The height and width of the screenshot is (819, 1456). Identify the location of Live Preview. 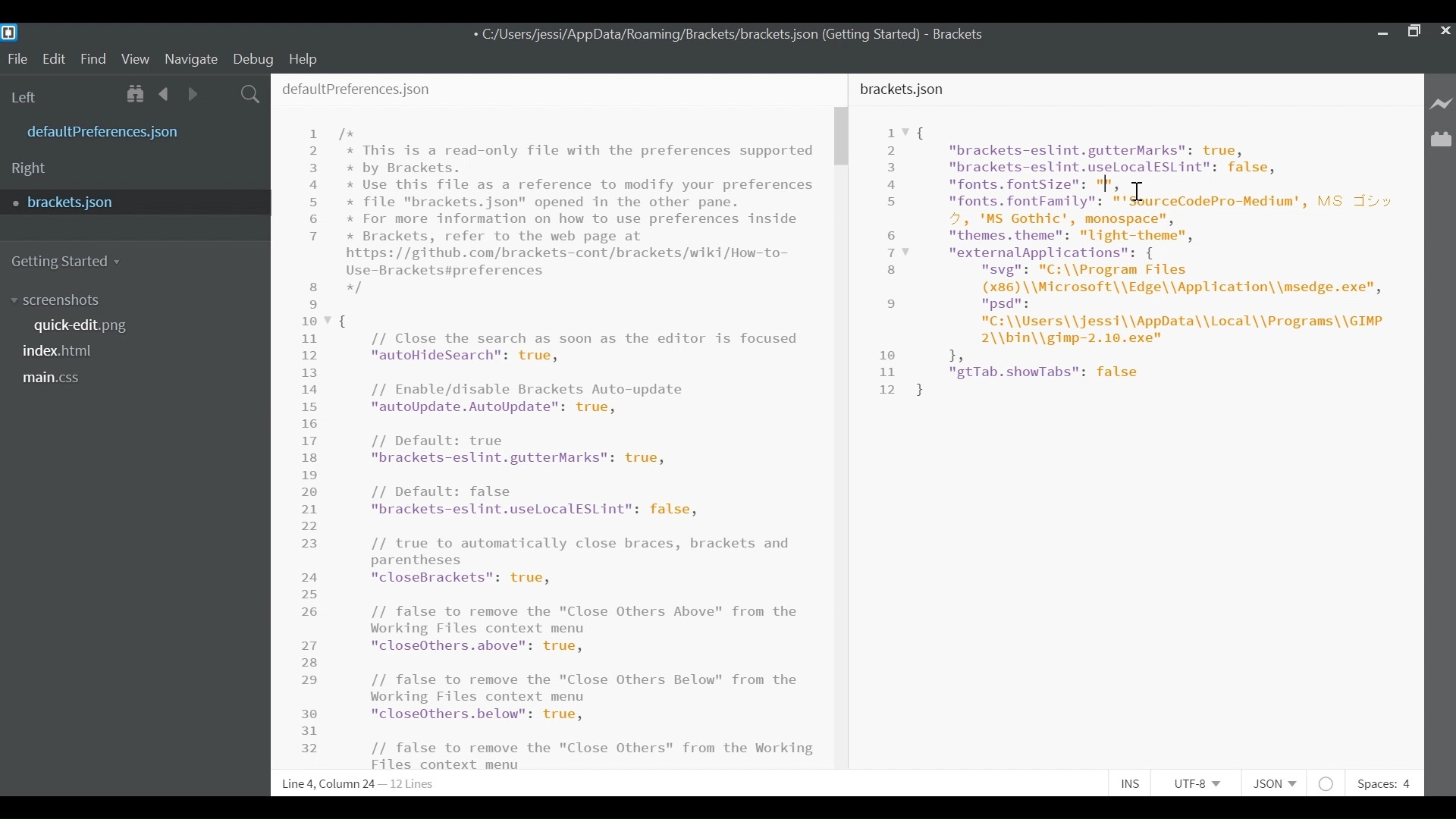
(1442, 103).